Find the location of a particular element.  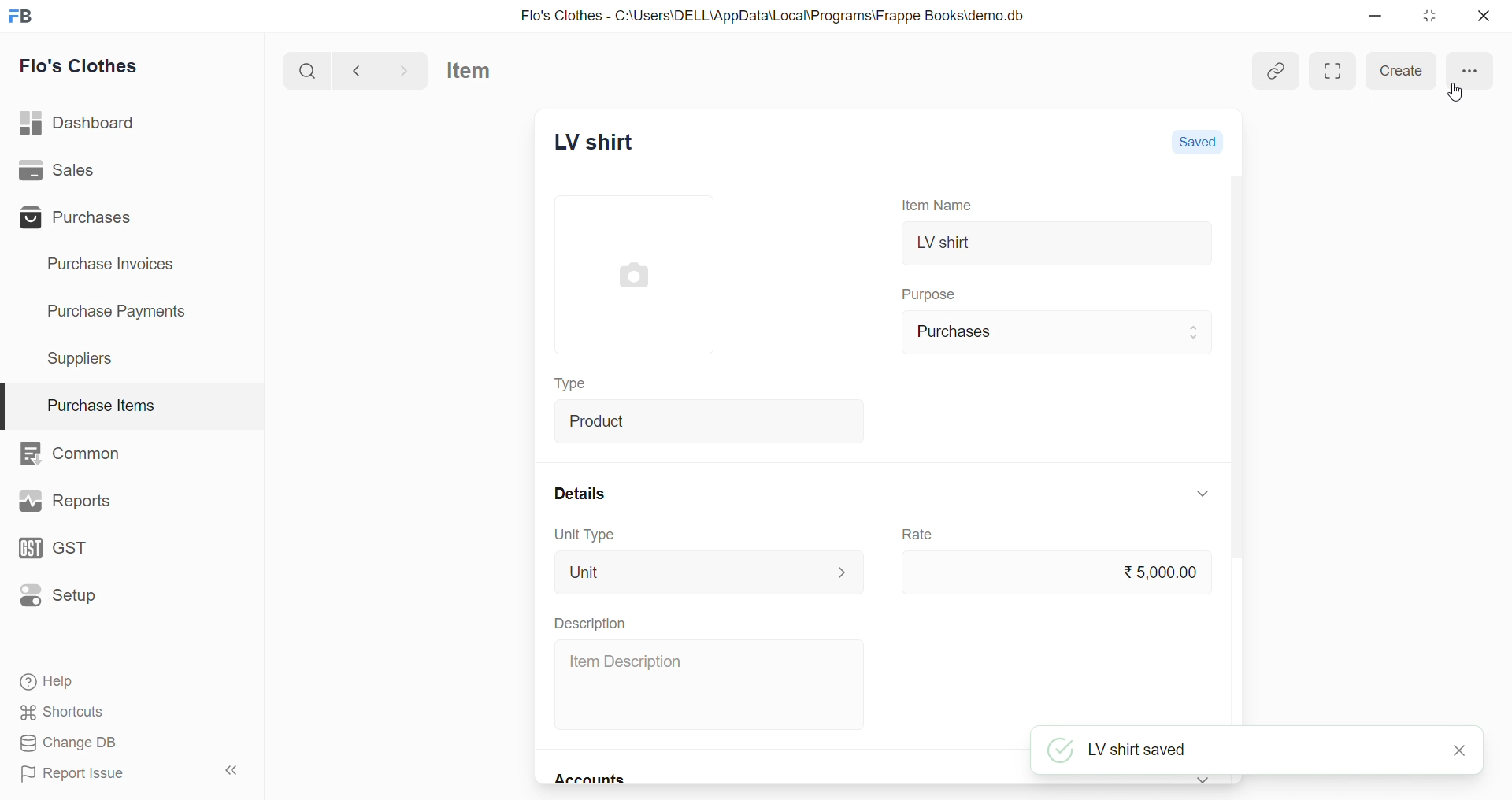

Purchase Invoices is located at coordinates (121, 265).